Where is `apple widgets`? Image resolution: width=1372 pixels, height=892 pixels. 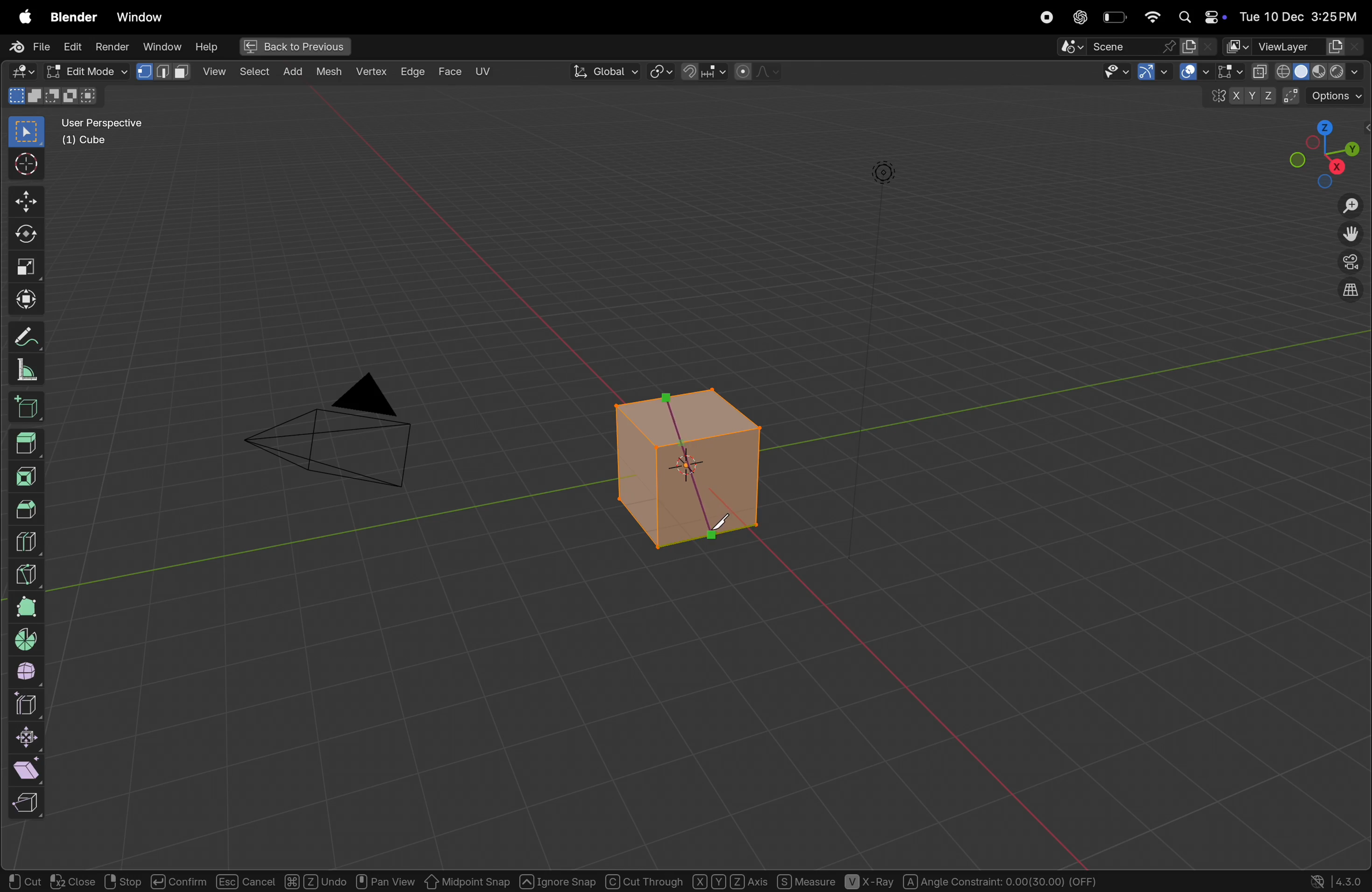
apple widgets is located at coordinates (1201, 16).